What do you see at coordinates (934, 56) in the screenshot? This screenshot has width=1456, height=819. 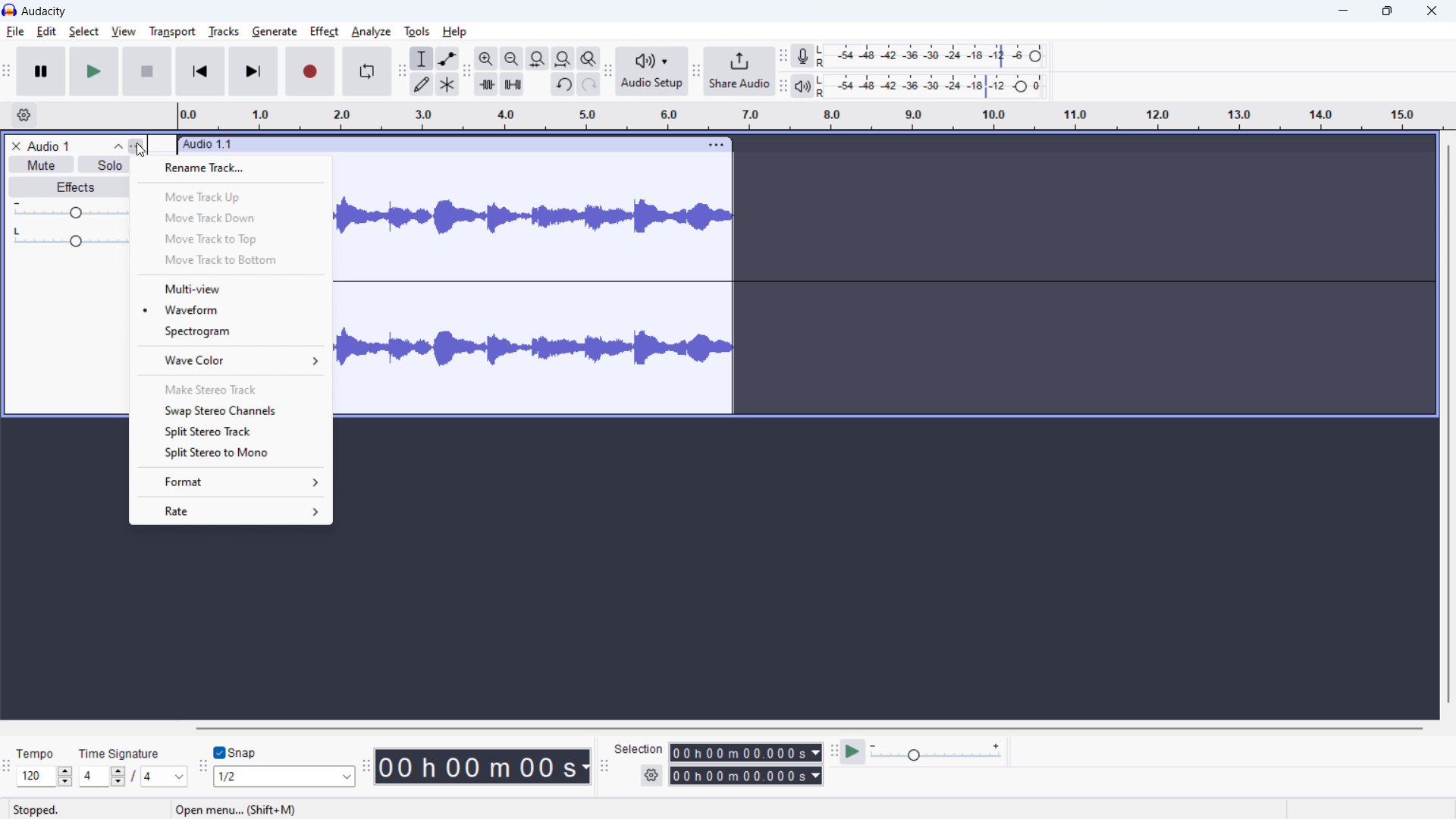 I see `recording level` at bounding box center [934, 56].